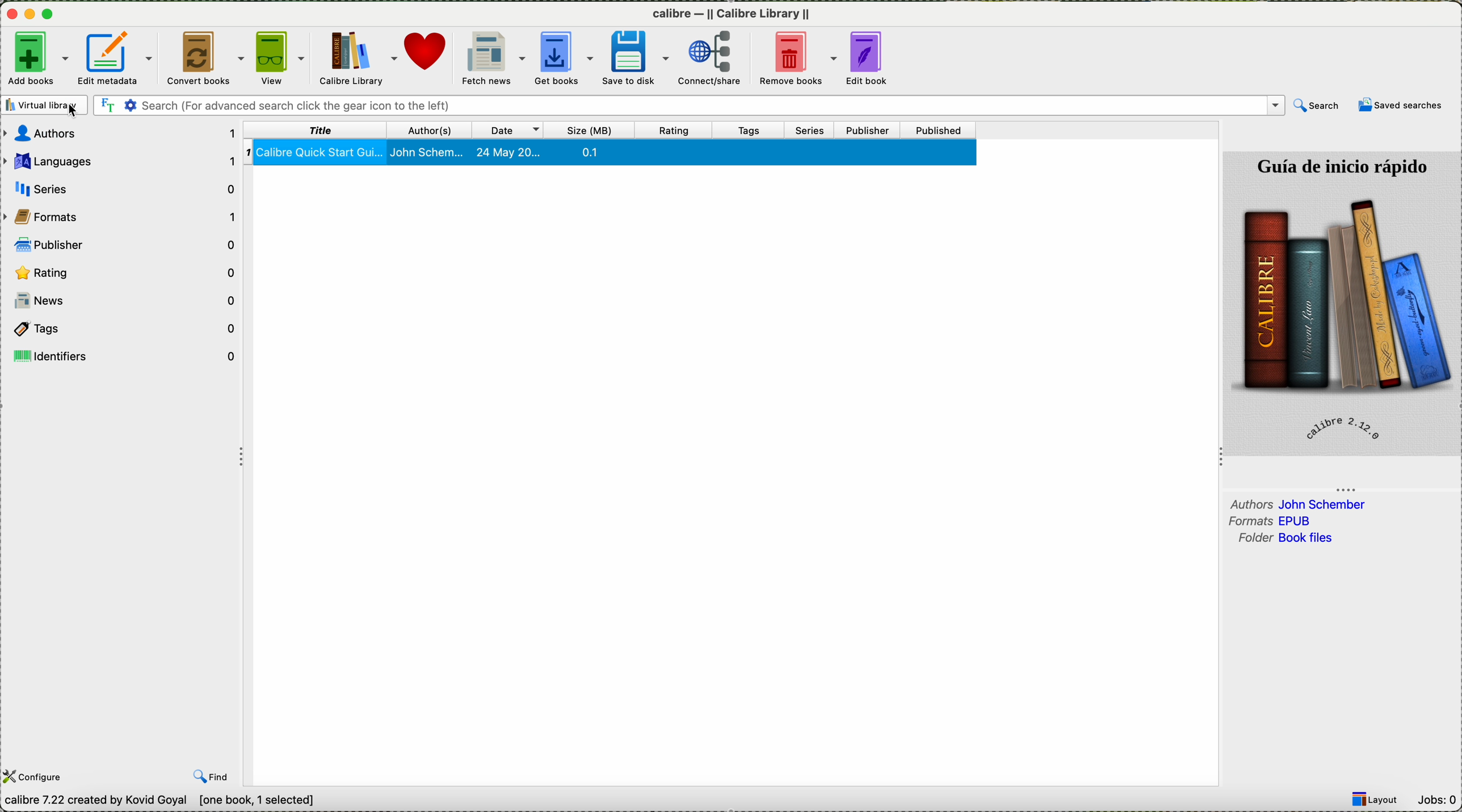  Describe the element at coordinates (1341, 302) in the screenshot. I see `calibre quick start guide preview` at that location.